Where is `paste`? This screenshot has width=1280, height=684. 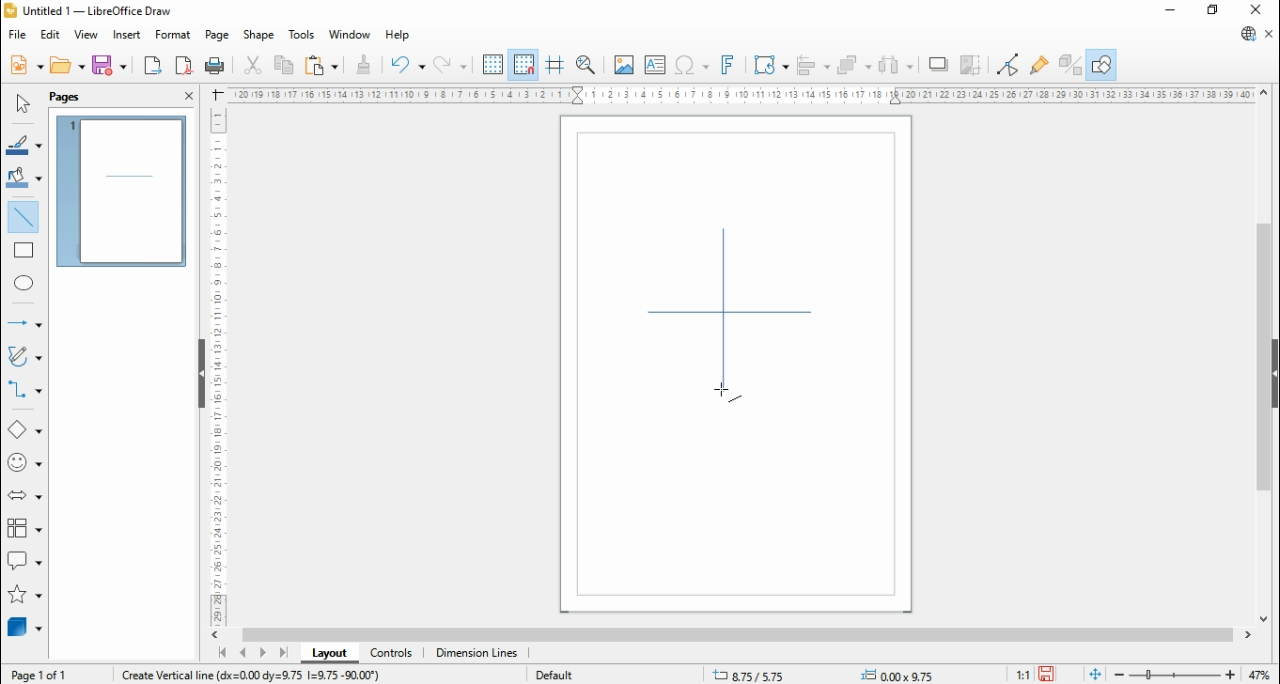 paste is located at coordinates (322, 64).